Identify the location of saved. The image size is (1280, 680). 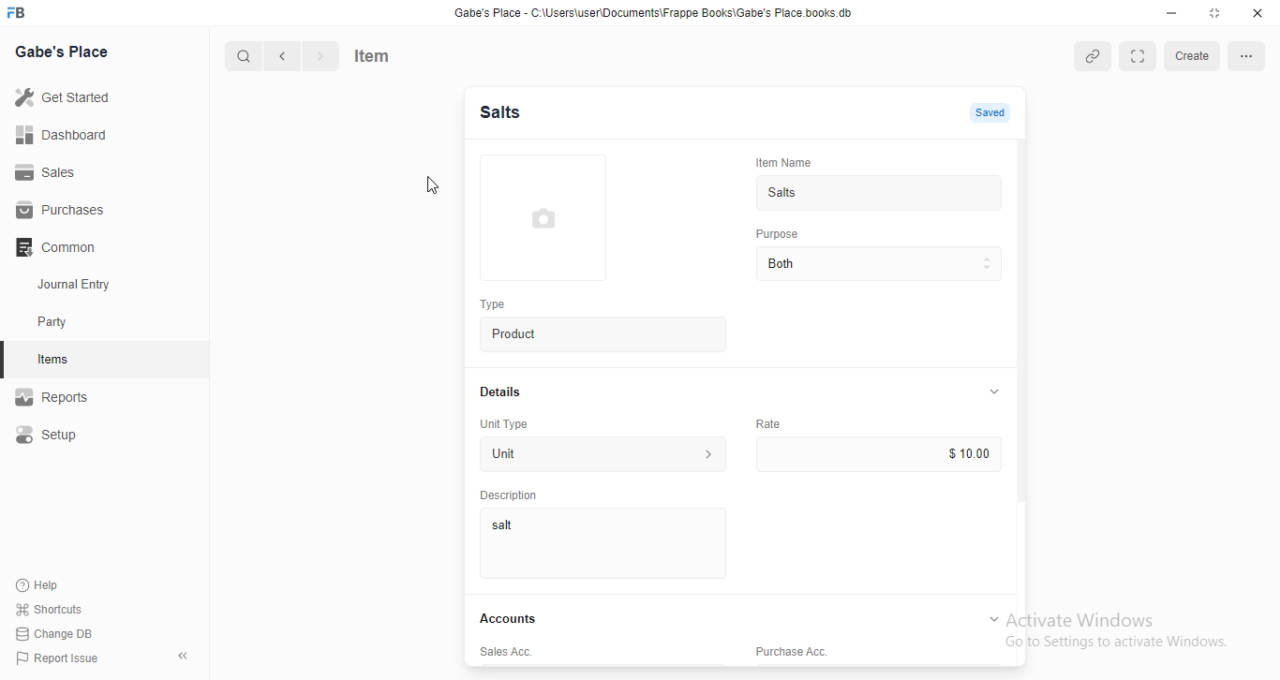
(990, 113).